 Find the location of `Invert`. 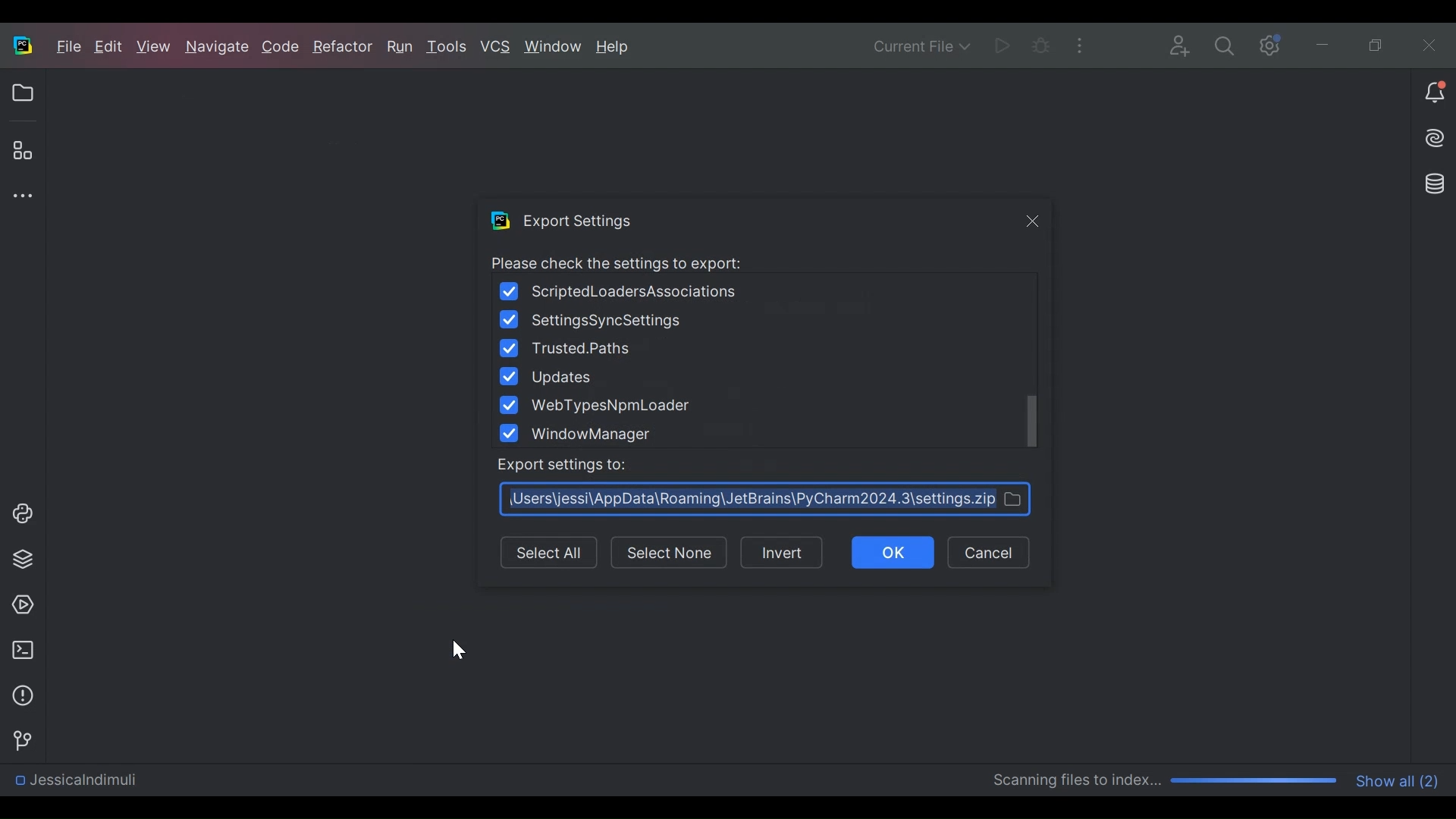

Invert is located at coordinates (787, 554).